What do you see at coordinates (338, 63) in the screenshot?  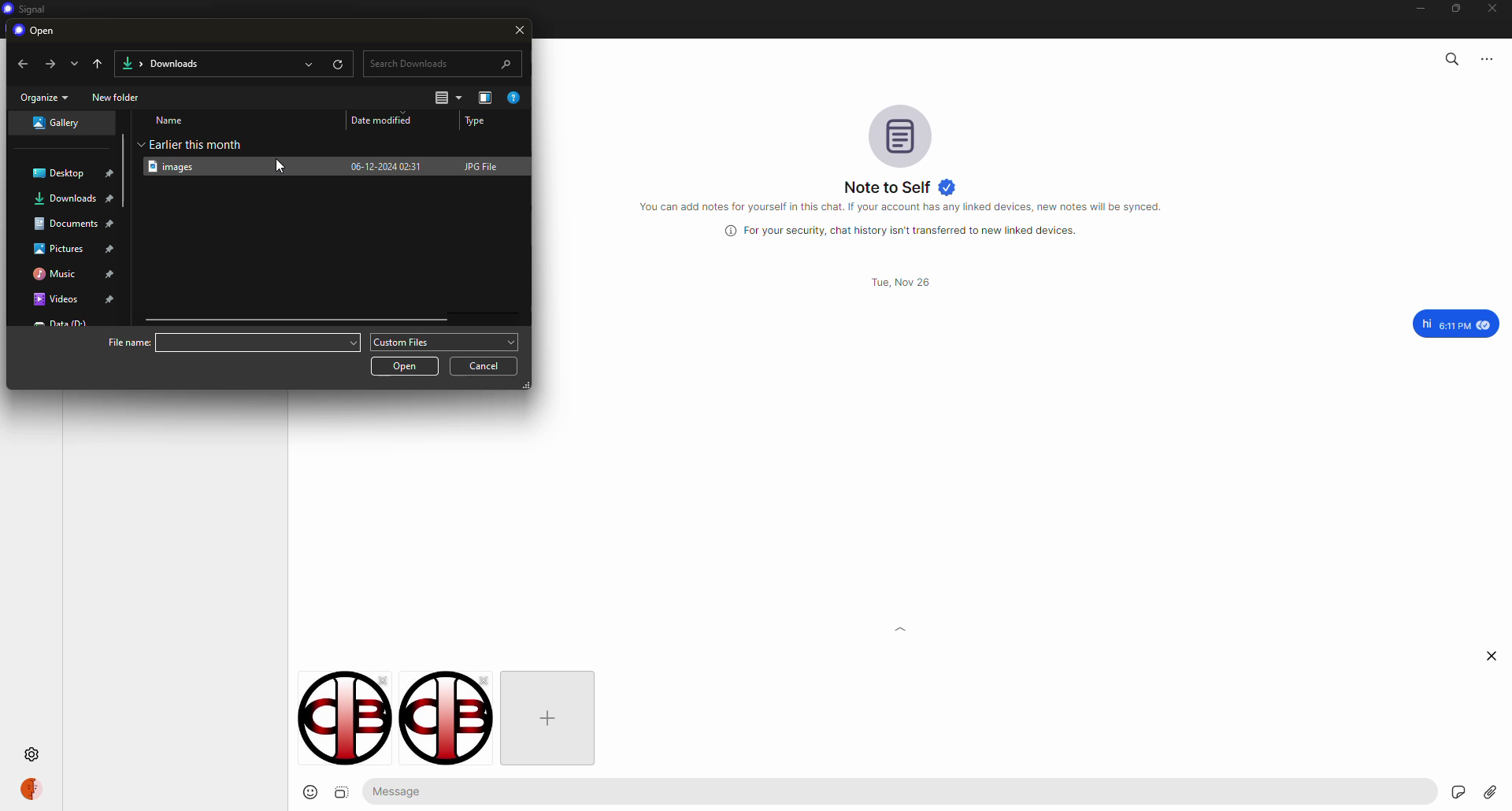 I see `refresh` at bounding box center [338, 63].